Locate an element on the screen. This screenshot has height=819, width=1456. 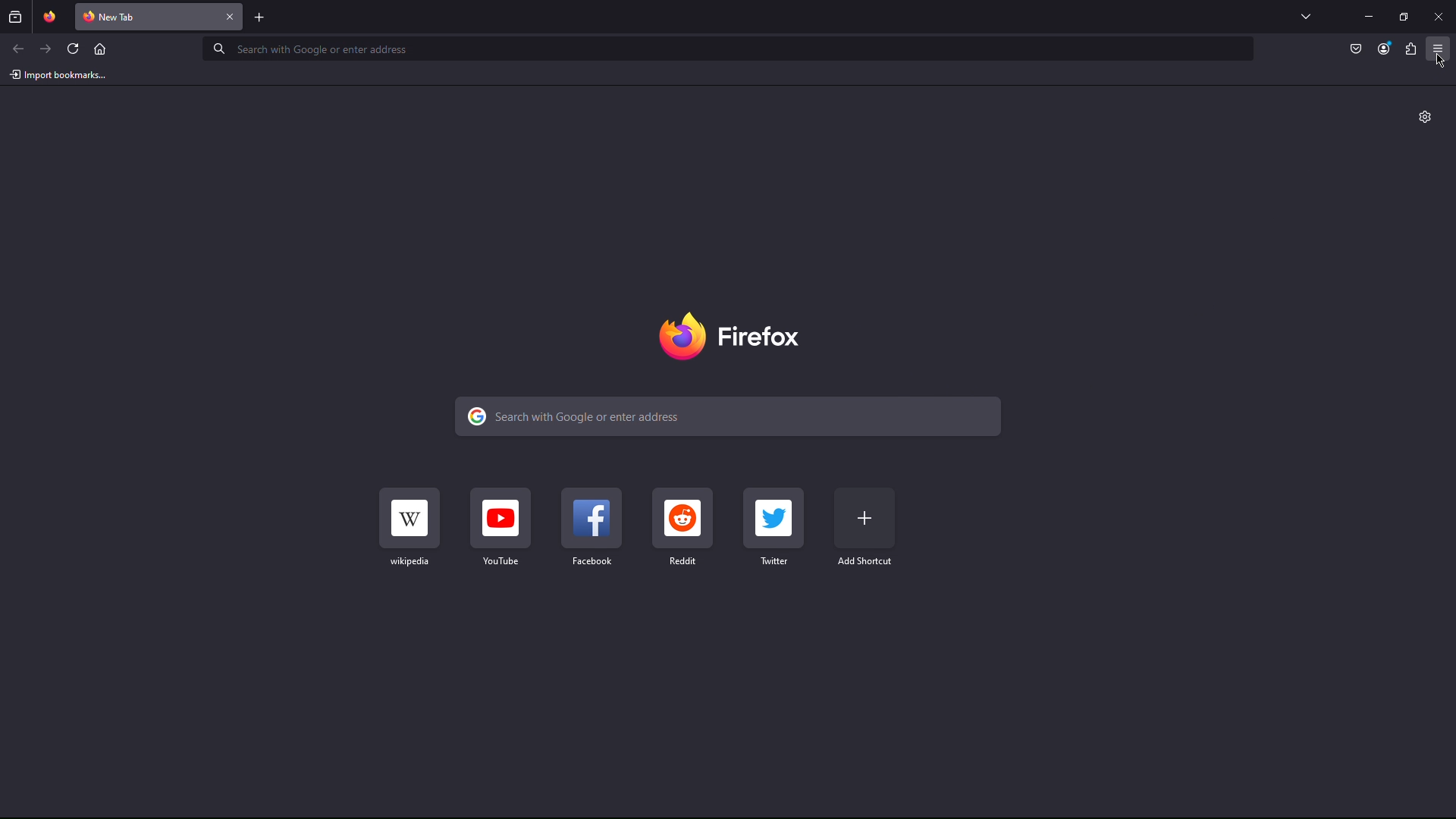
cursor is located at coordinates (1441, 61).